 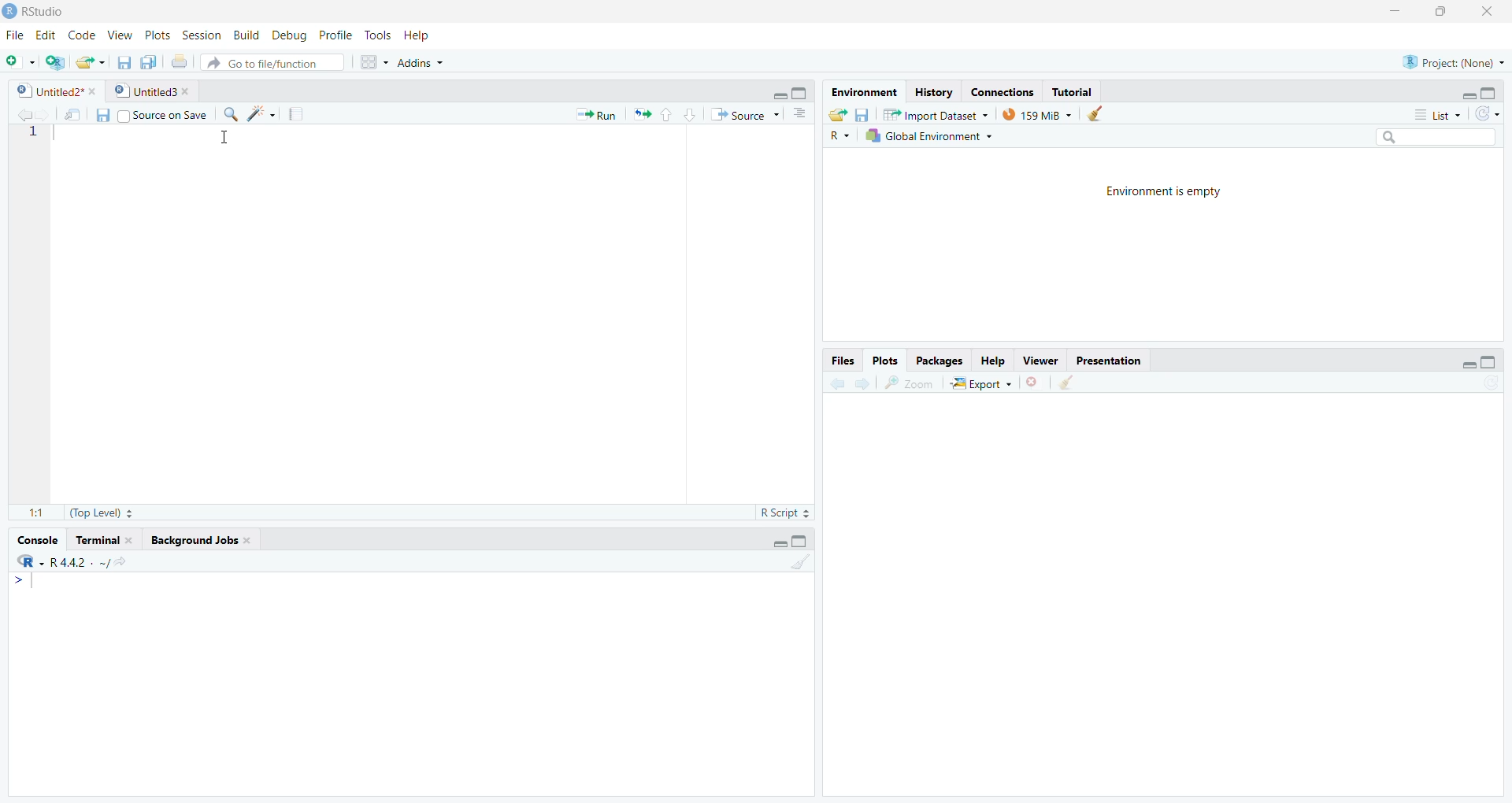 What do you see at coordinates (928, 135) in the screenshot?
I see `Global Environment` at bounding box center [928, 135].